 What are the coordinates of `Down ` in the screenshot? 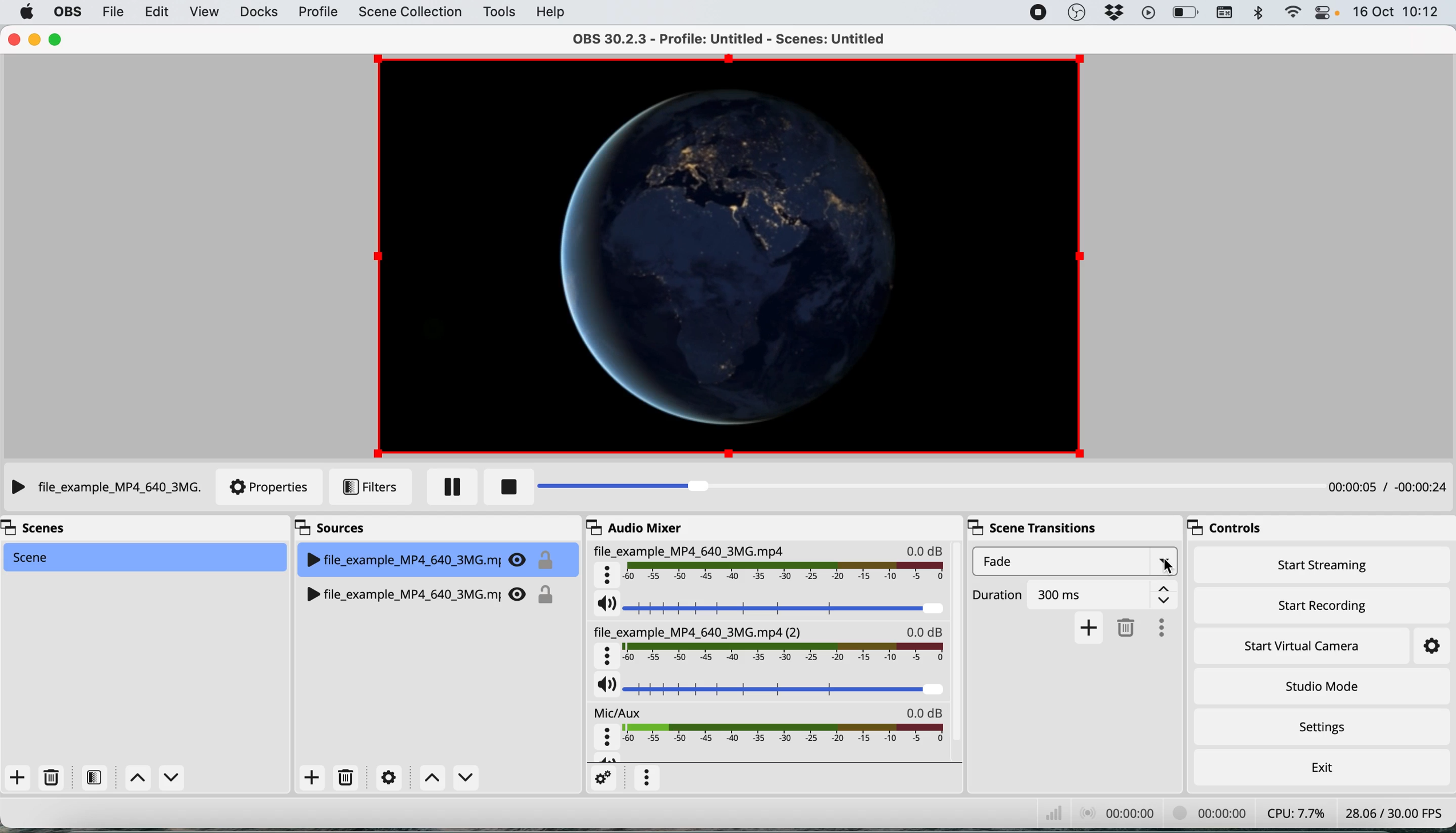 It's located at (467, 779).